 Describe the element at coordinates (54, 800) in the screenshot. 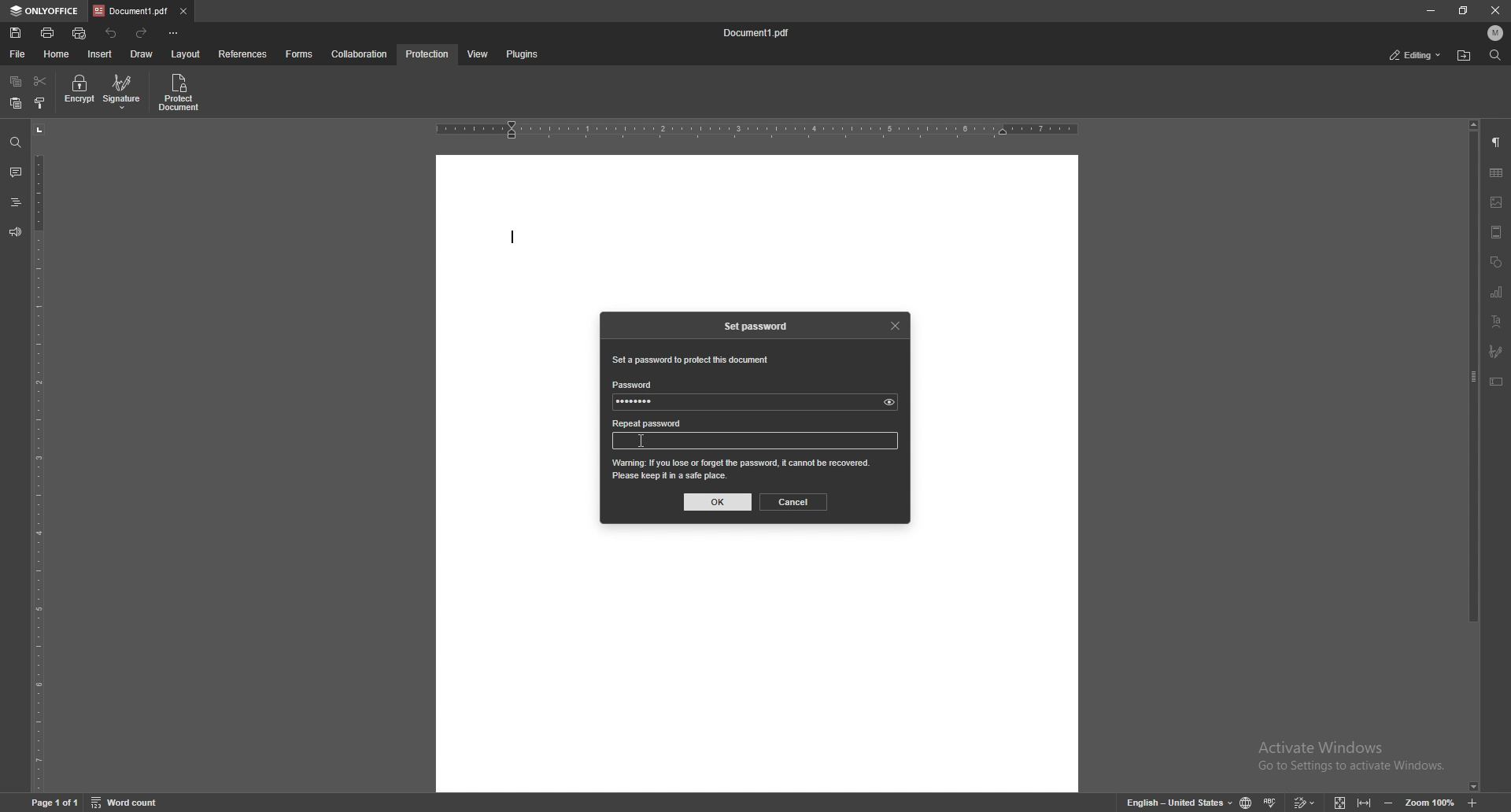

I see `page` at that location.